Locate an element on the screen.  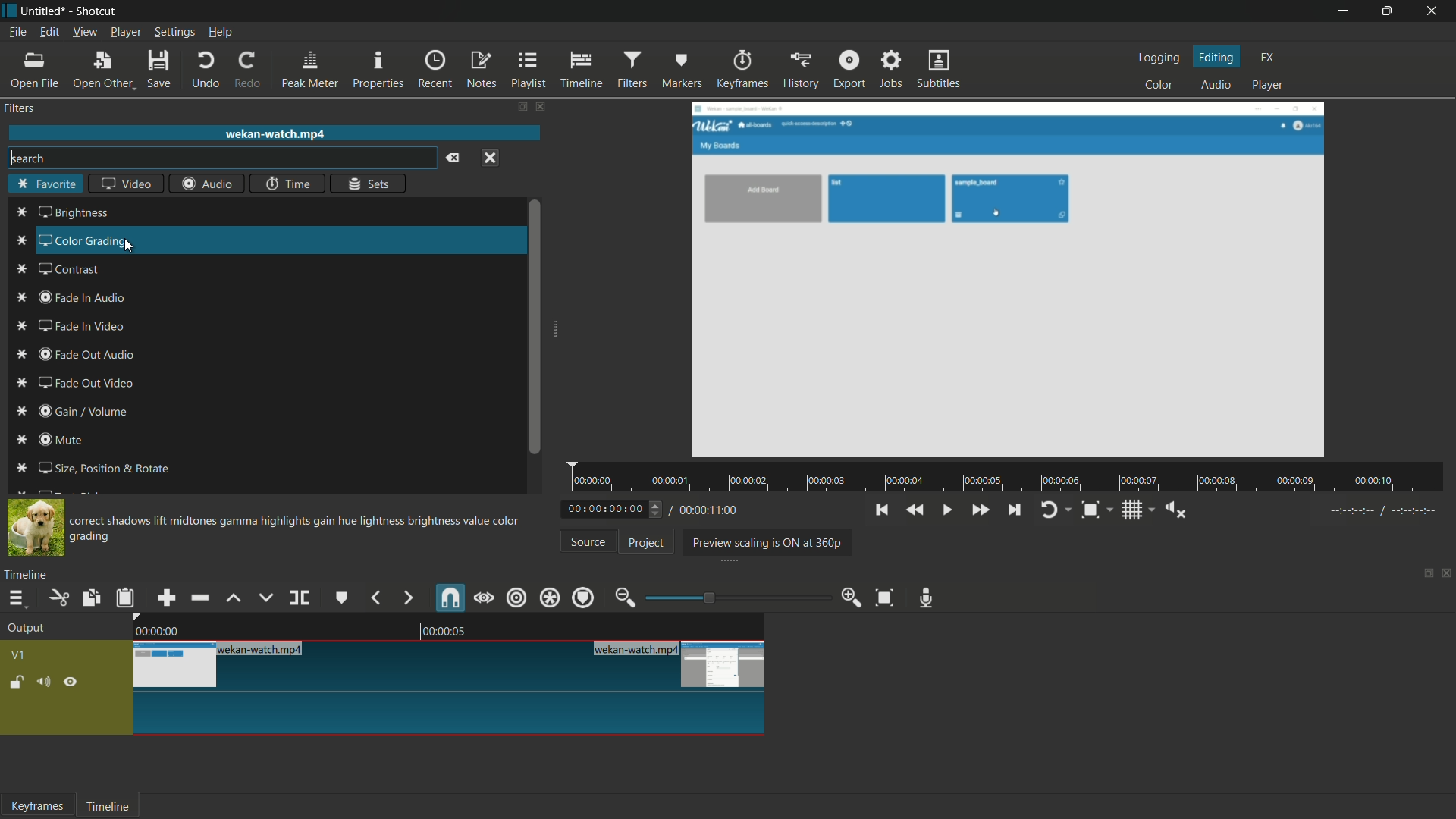
output is located at coordinates (27, 630).